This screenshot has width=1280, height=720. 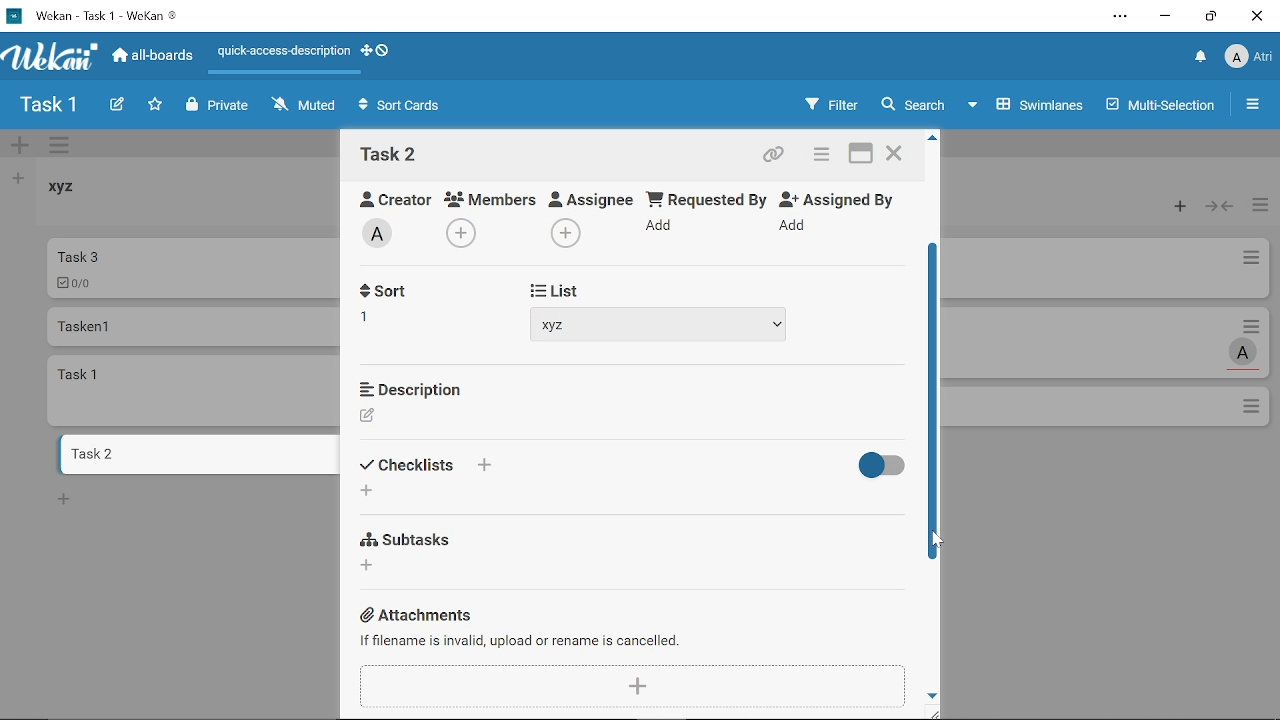 What do you see at coordinates (405, 293) in the screenshot?
I see `Received` at bounding box center [405, 293].